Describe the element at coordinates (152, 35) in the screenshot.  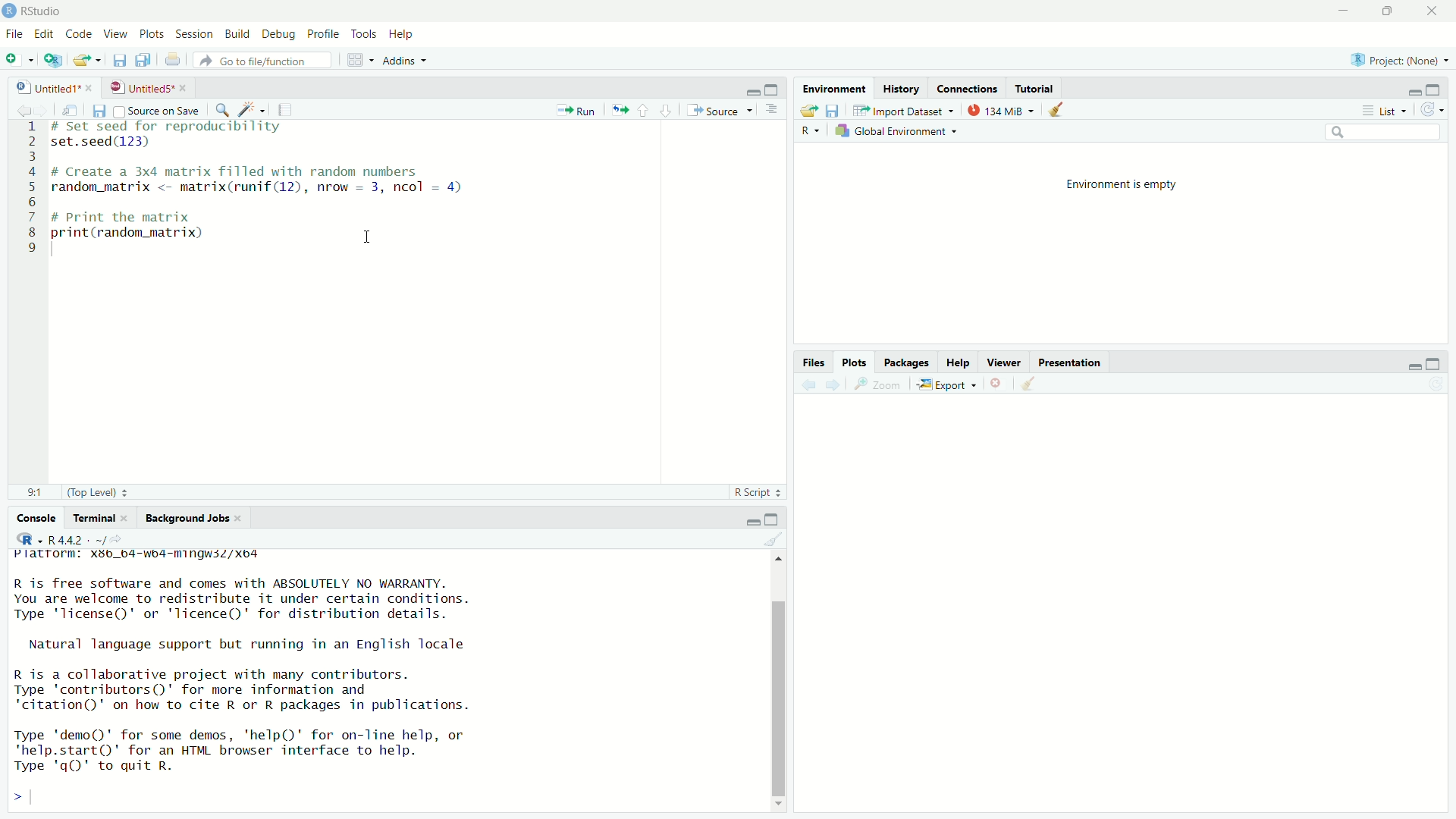
I see `Plots` at that location.